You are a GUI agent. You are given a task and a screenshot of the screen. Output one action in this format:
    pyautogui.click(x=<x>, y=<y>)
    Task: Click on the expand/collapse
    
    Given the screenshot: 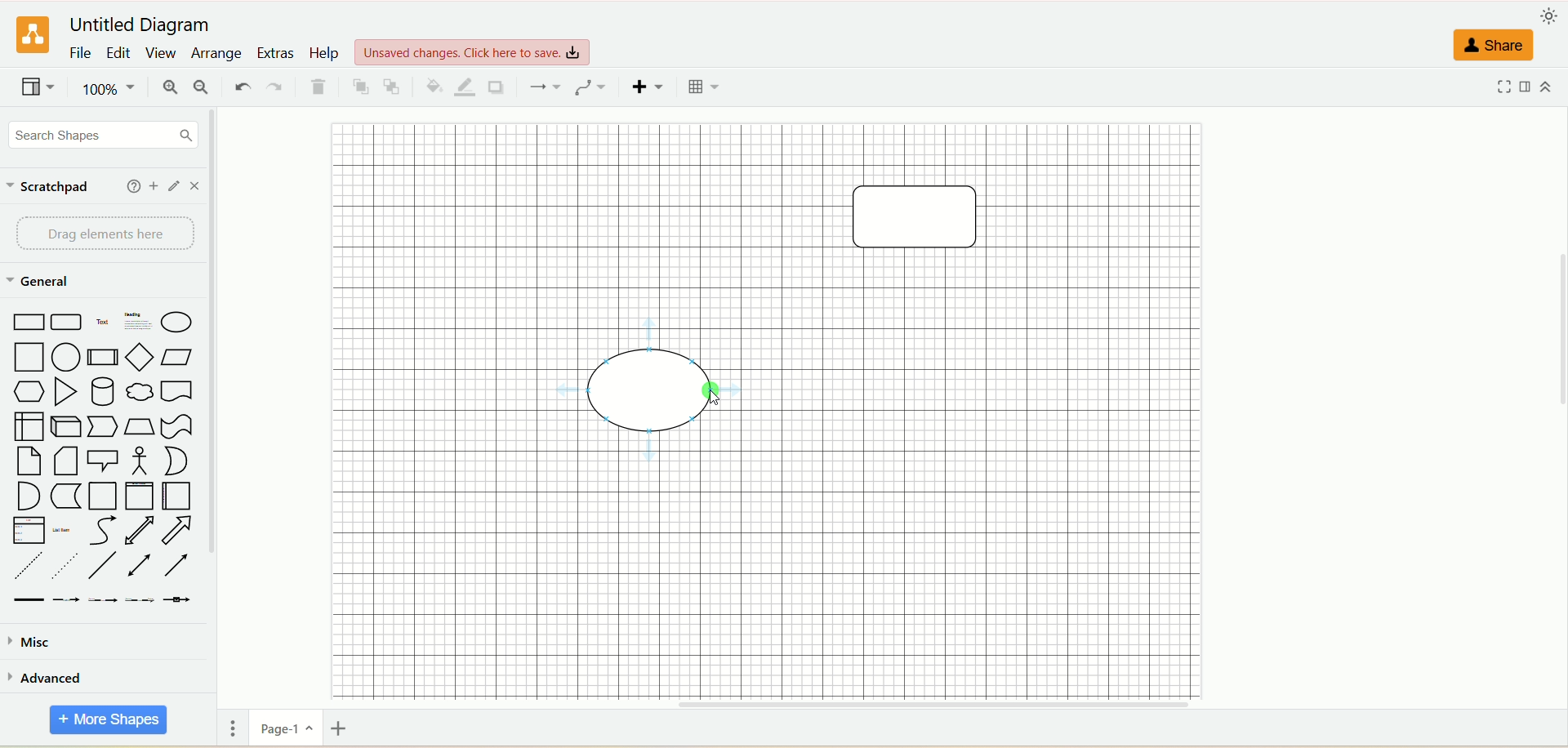 What is the action you would take?
    pyautogui.click(x=1549, y=87)
    